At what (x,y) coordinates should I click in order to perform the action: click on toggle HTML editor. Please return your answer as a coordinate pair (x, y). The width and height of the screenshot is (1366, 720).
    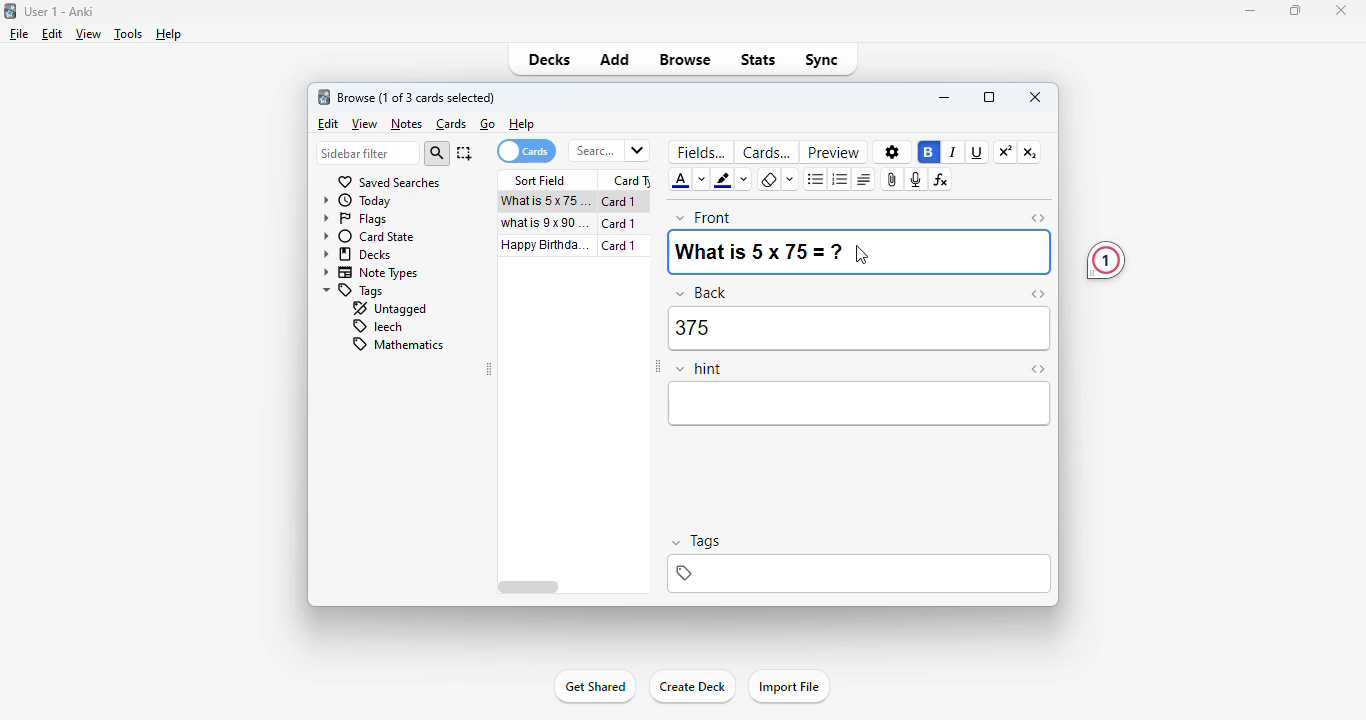
    Looking at the image, I should click on (1038, 218).